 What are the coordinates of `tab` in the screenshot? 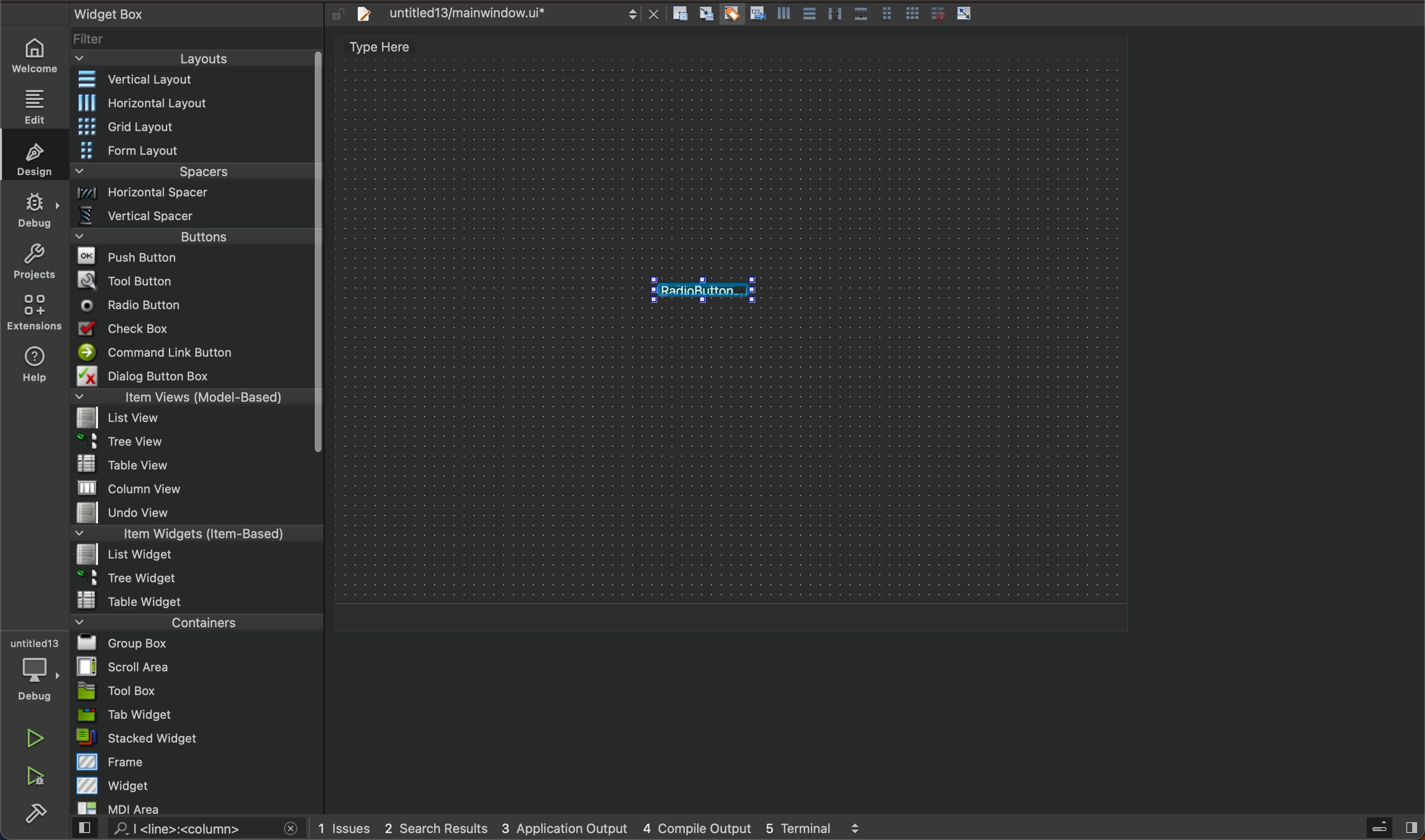 It's located at (199, 714).